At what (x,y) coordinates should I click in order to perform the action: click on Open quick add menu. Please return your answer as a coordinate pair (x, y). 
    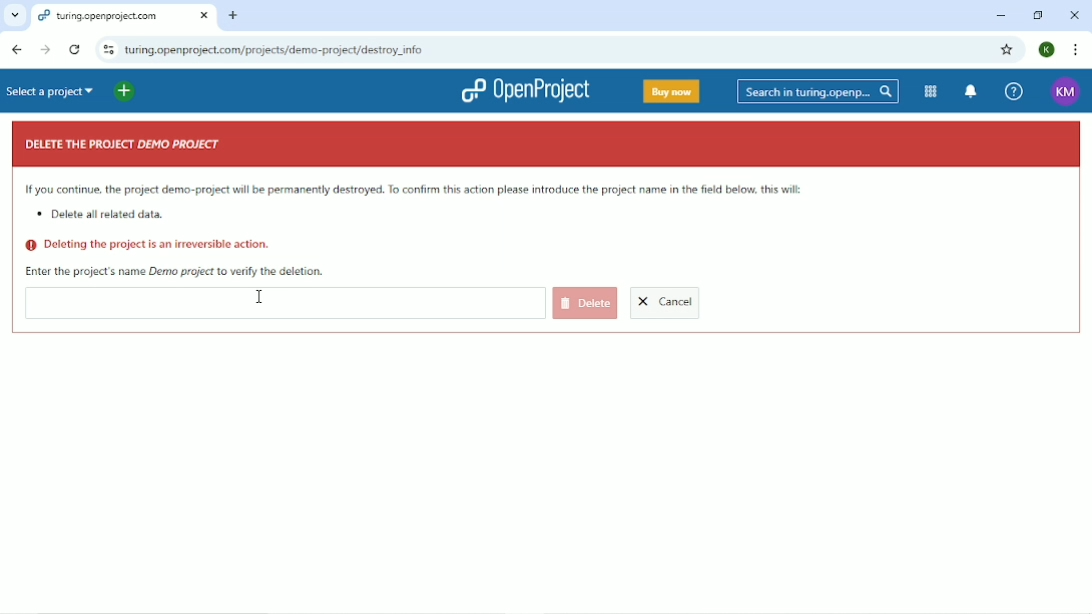
    Looking at the image, I should click on (161, 90).